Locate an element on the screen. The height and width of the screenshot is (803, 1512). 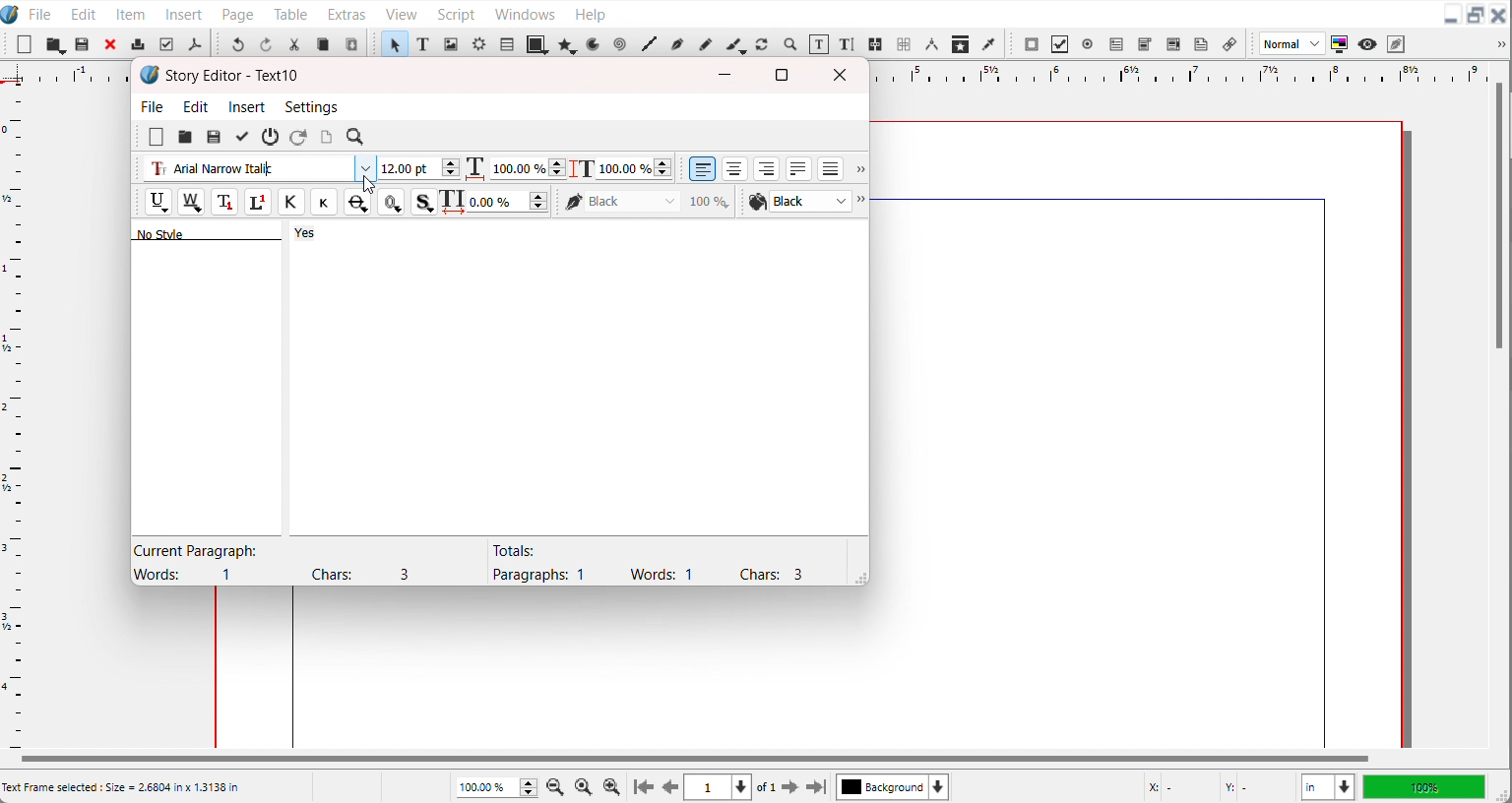
Render Frame is located at coordinates (478, 43).